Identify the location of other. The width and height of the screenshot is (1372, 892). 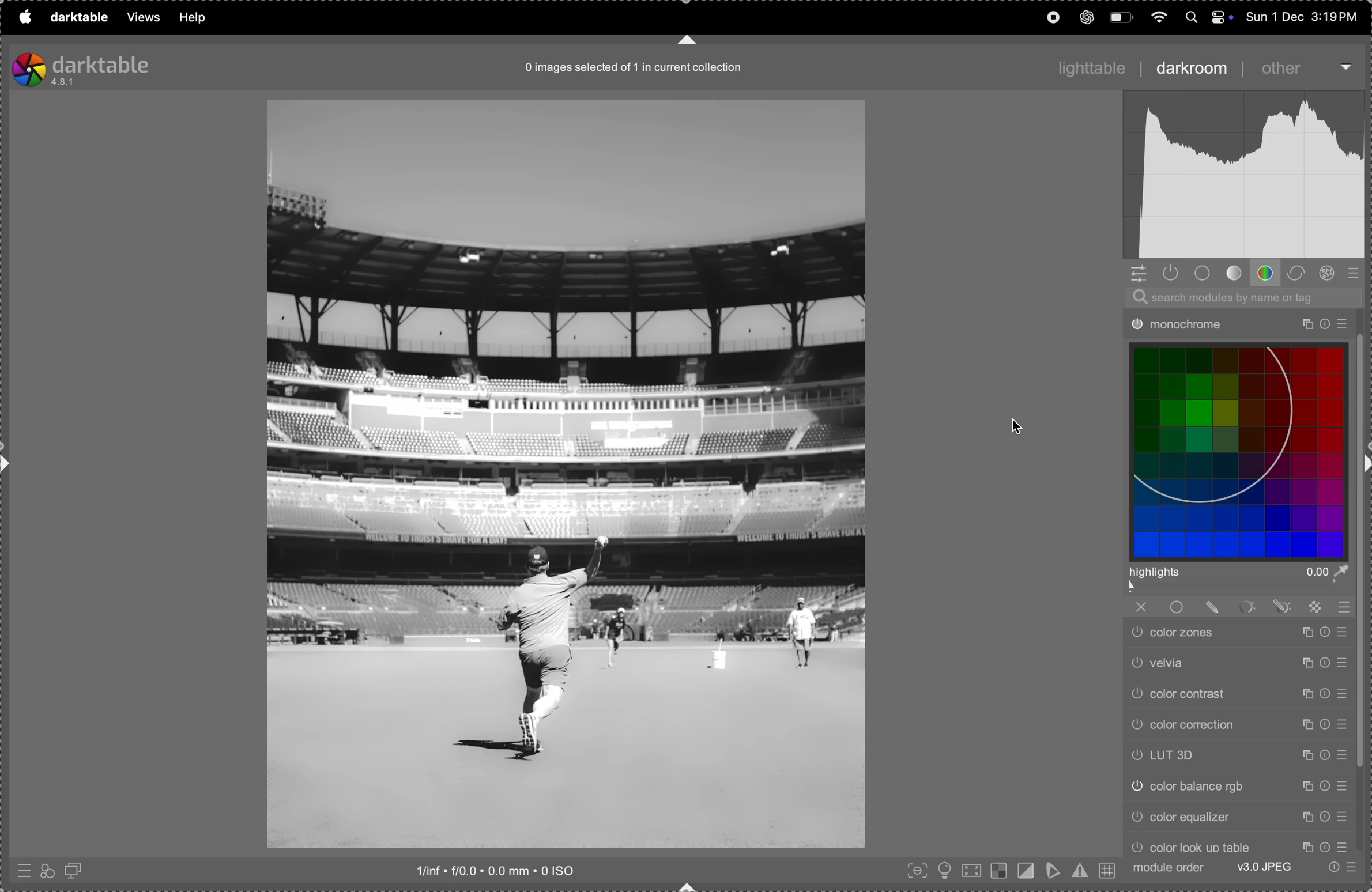
(1283, 68).